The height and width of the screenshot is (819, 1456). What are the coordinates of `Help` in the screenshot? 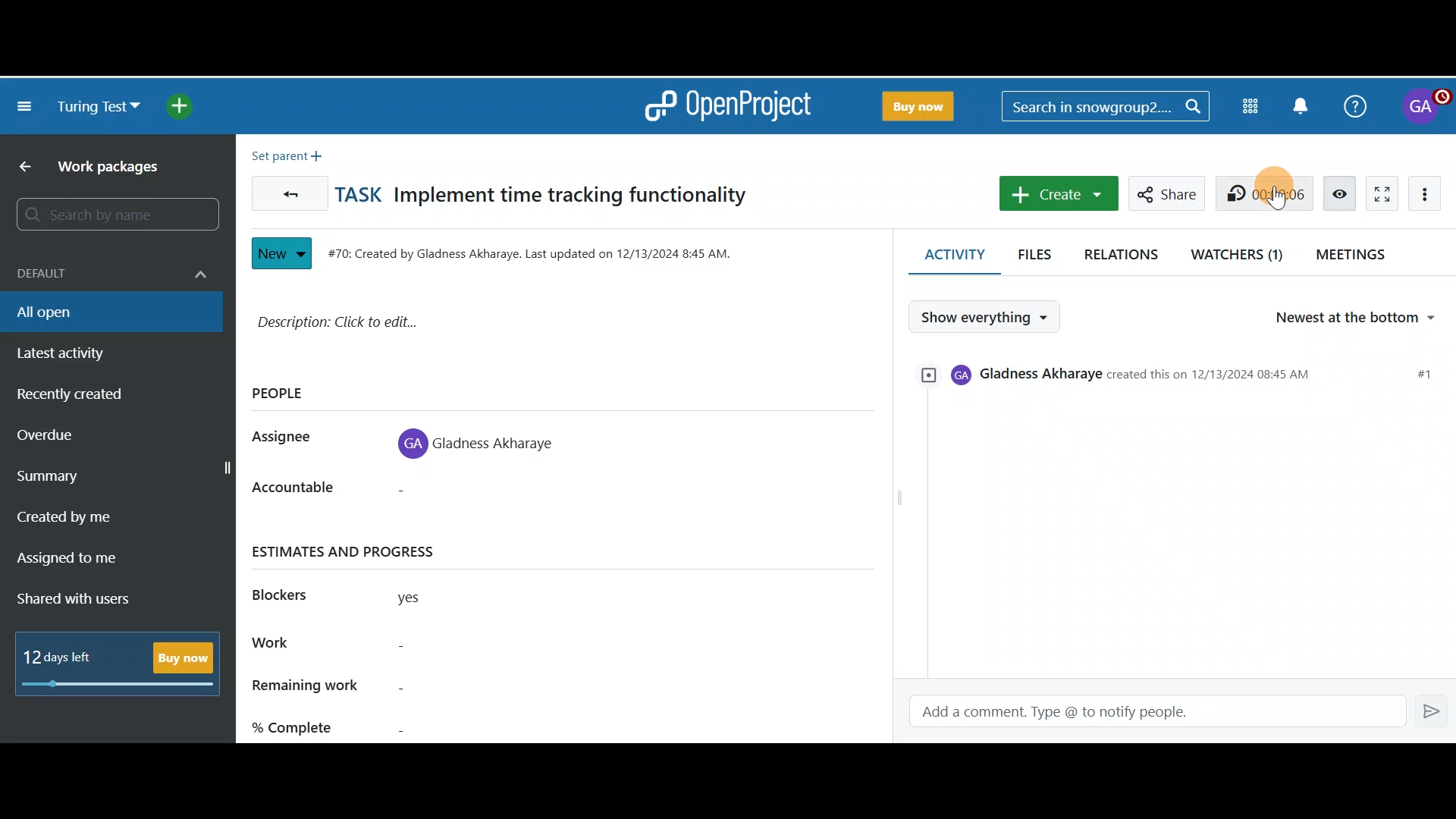 It's located at (1352, 104).